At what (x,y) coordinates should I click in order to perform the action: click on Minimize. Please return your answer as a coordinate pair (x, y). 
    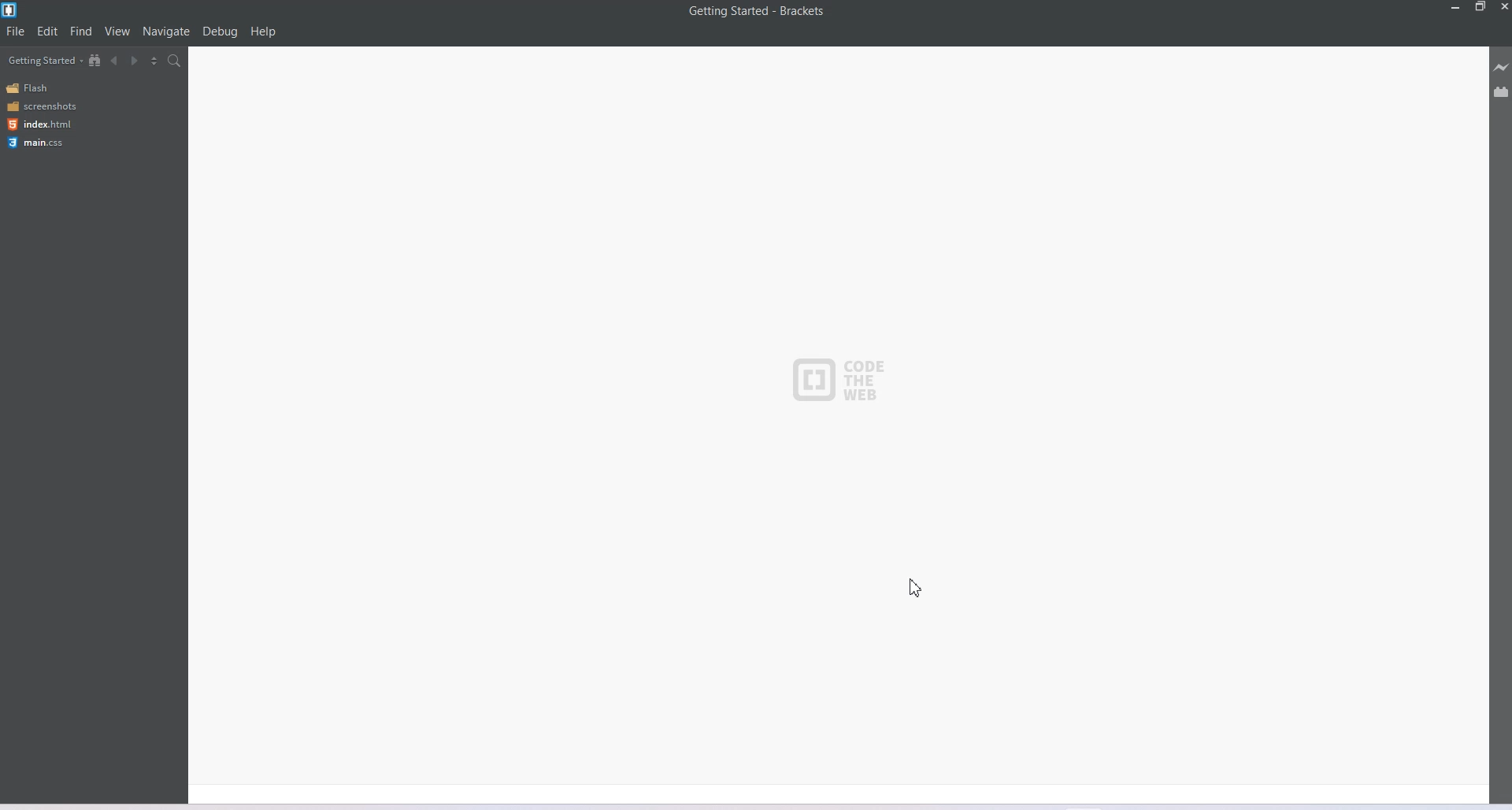
    Looking at the image, I should click on (1456, 7).